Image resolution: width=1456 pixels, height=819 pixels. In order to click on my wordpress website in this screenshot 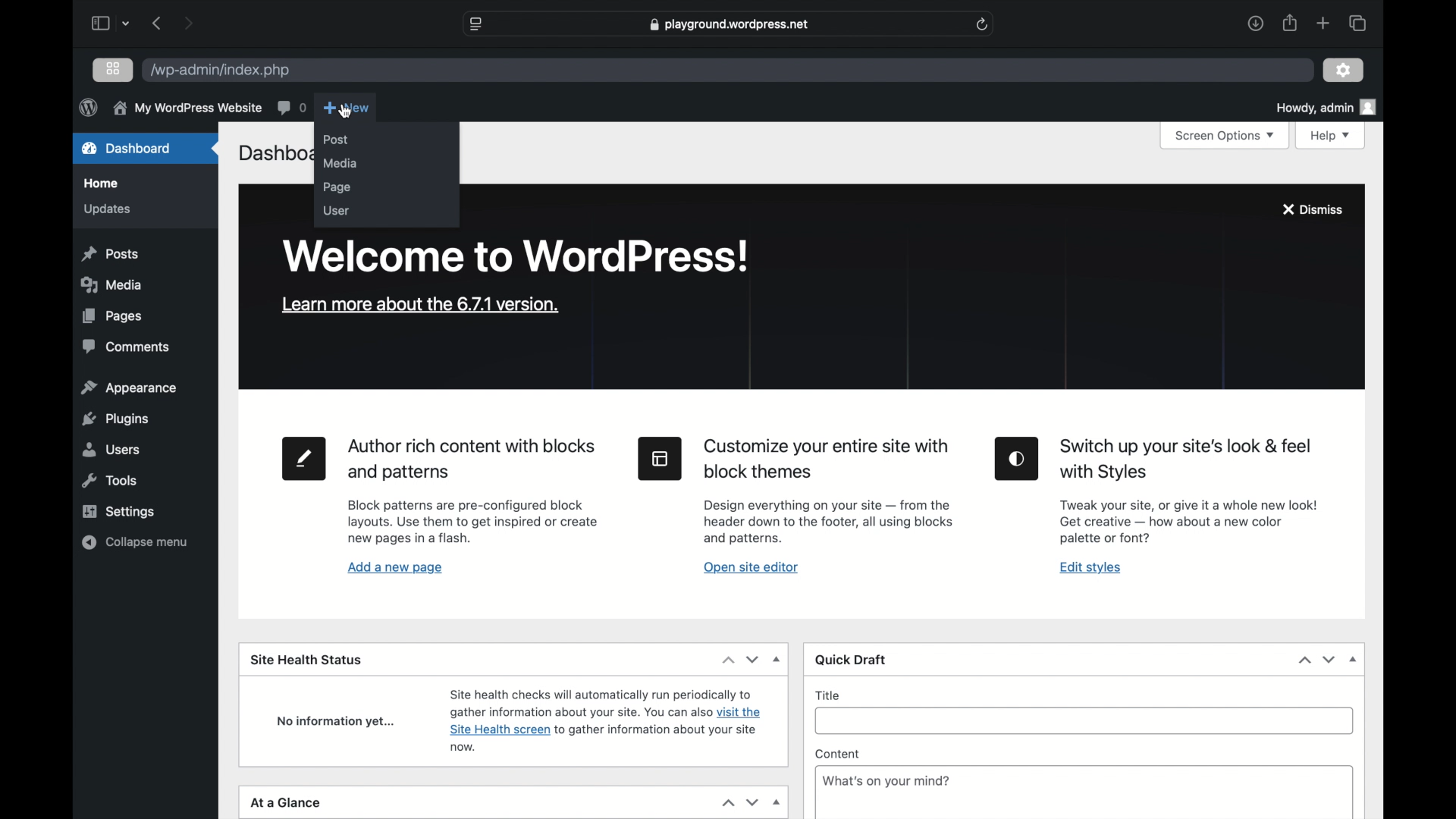, I will do `click(187, 108)`.